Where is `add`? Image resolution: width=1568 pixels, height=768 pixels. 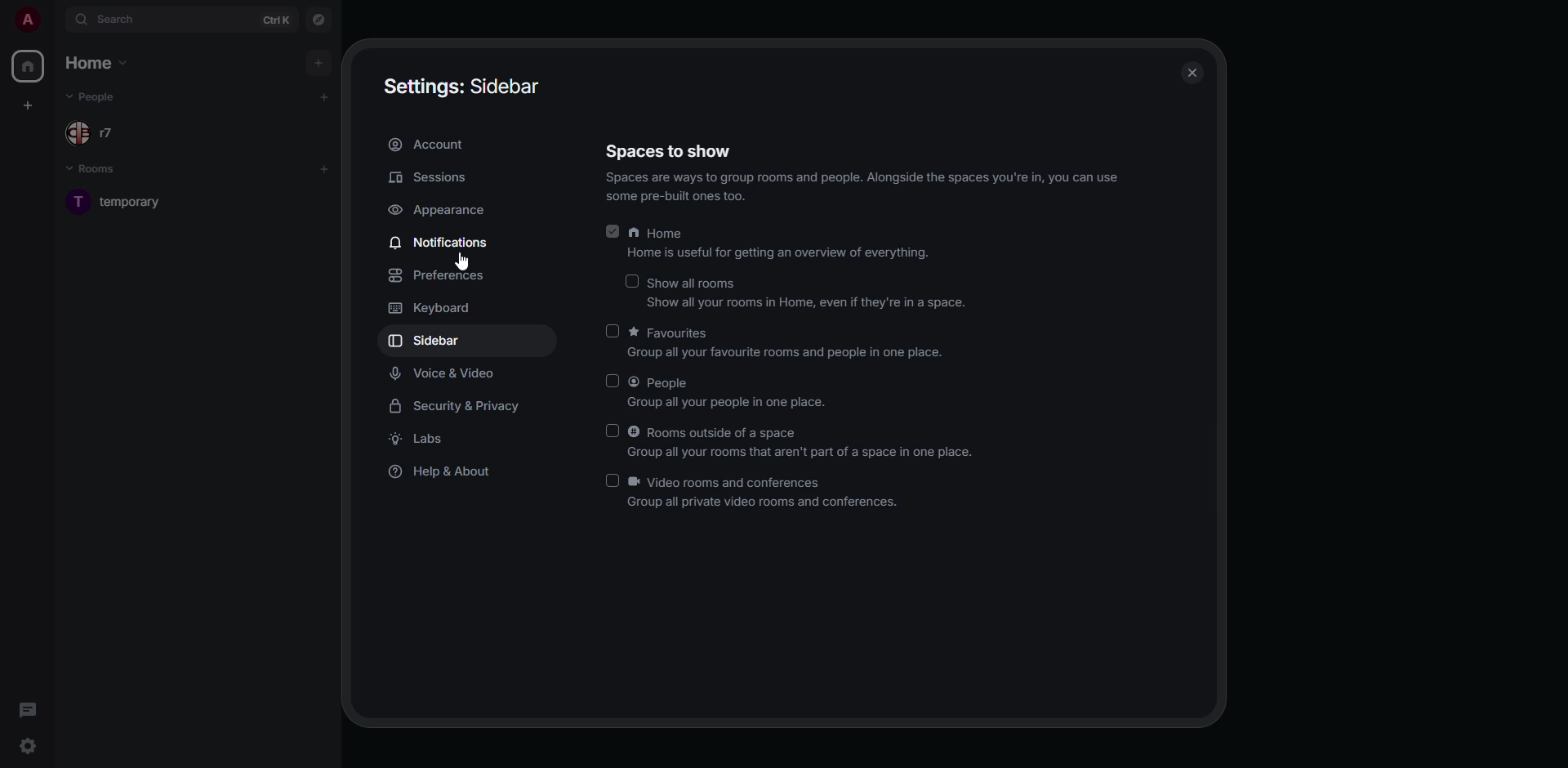 add is located at coordinates (327, 167).